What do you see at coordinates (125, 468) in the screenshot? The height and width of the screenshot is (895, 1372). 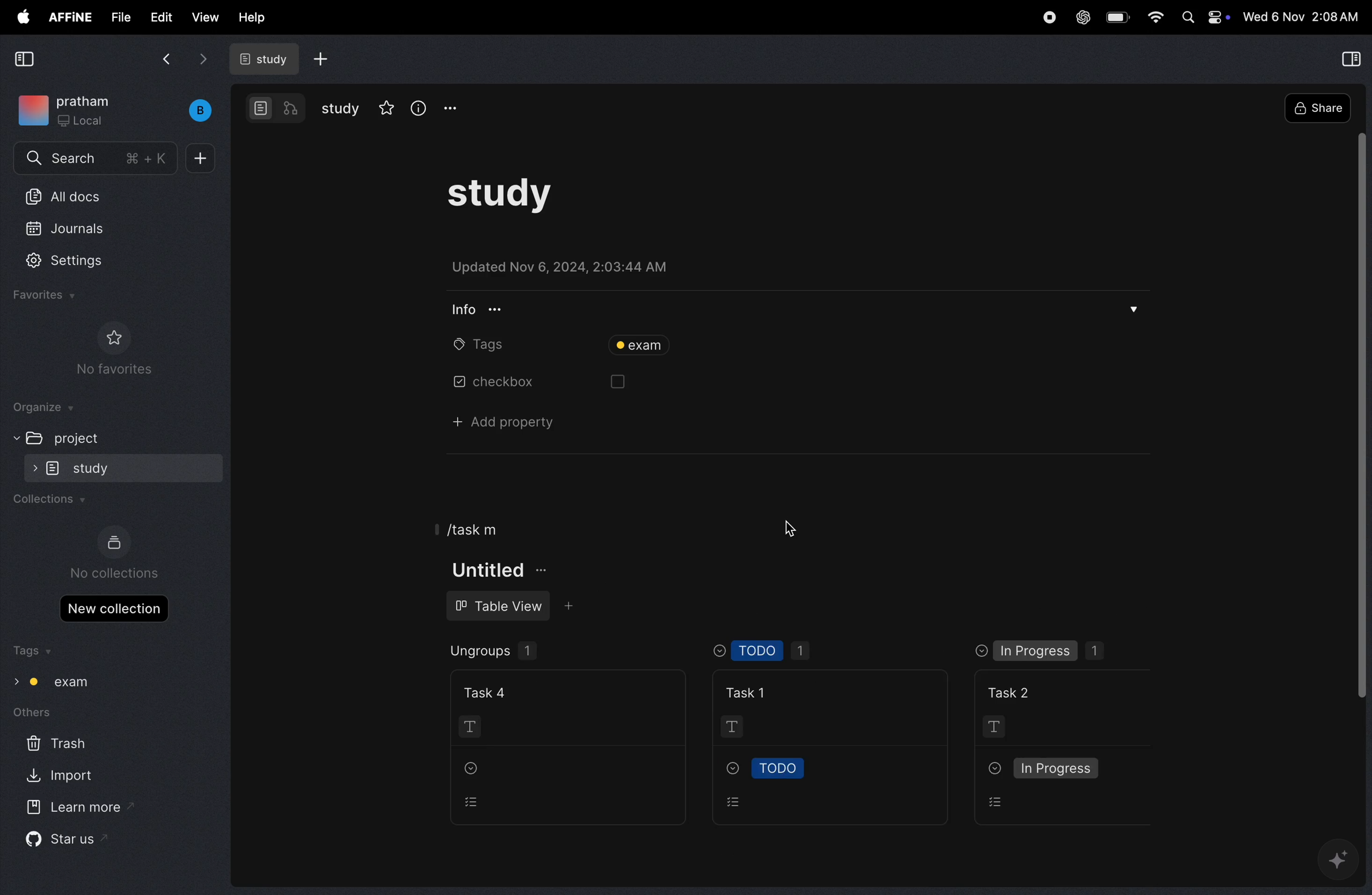 I see `study` at bounding box center [125, 468].